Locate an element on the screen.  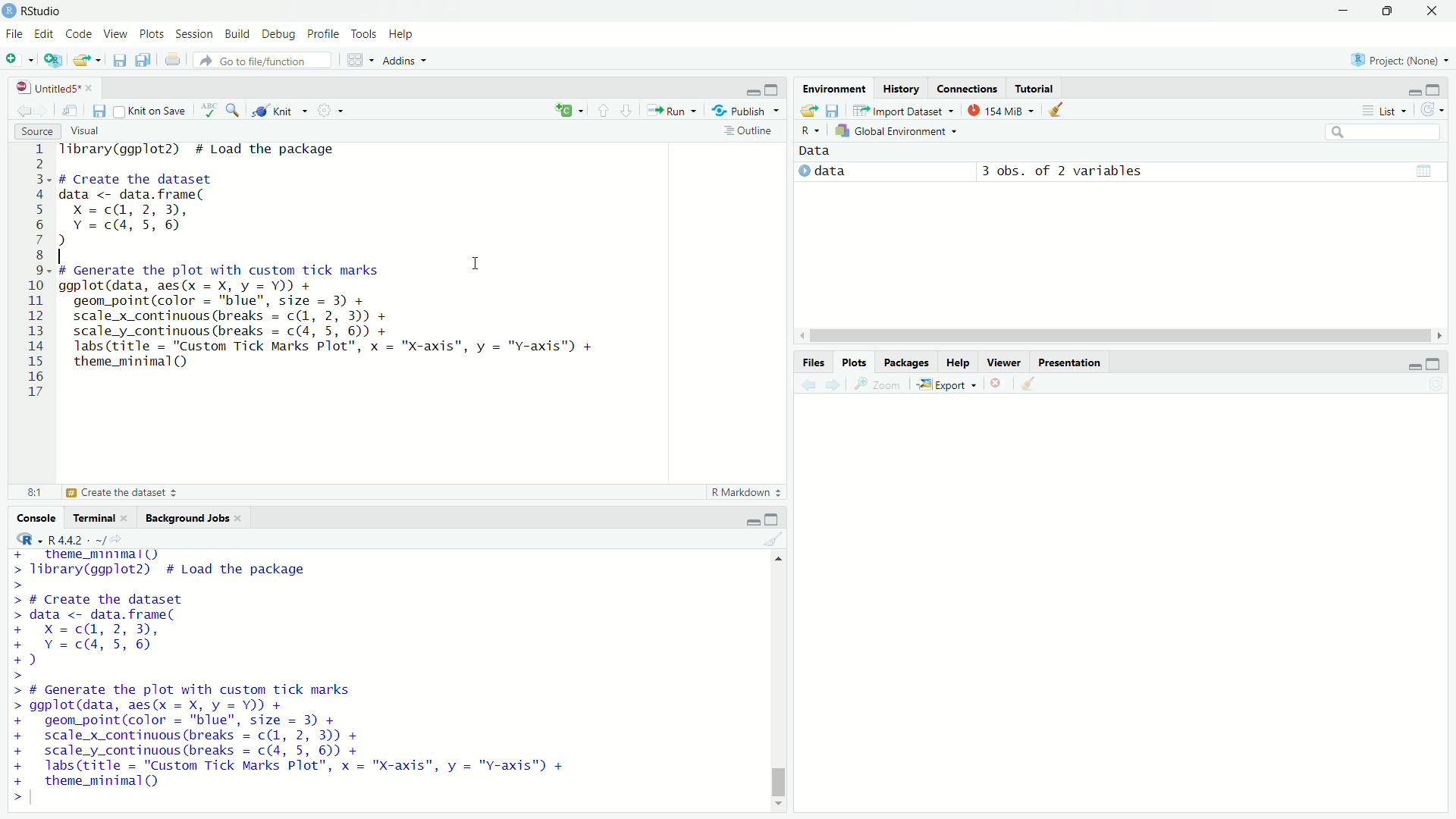
table is located at coordinates (1423, 170).